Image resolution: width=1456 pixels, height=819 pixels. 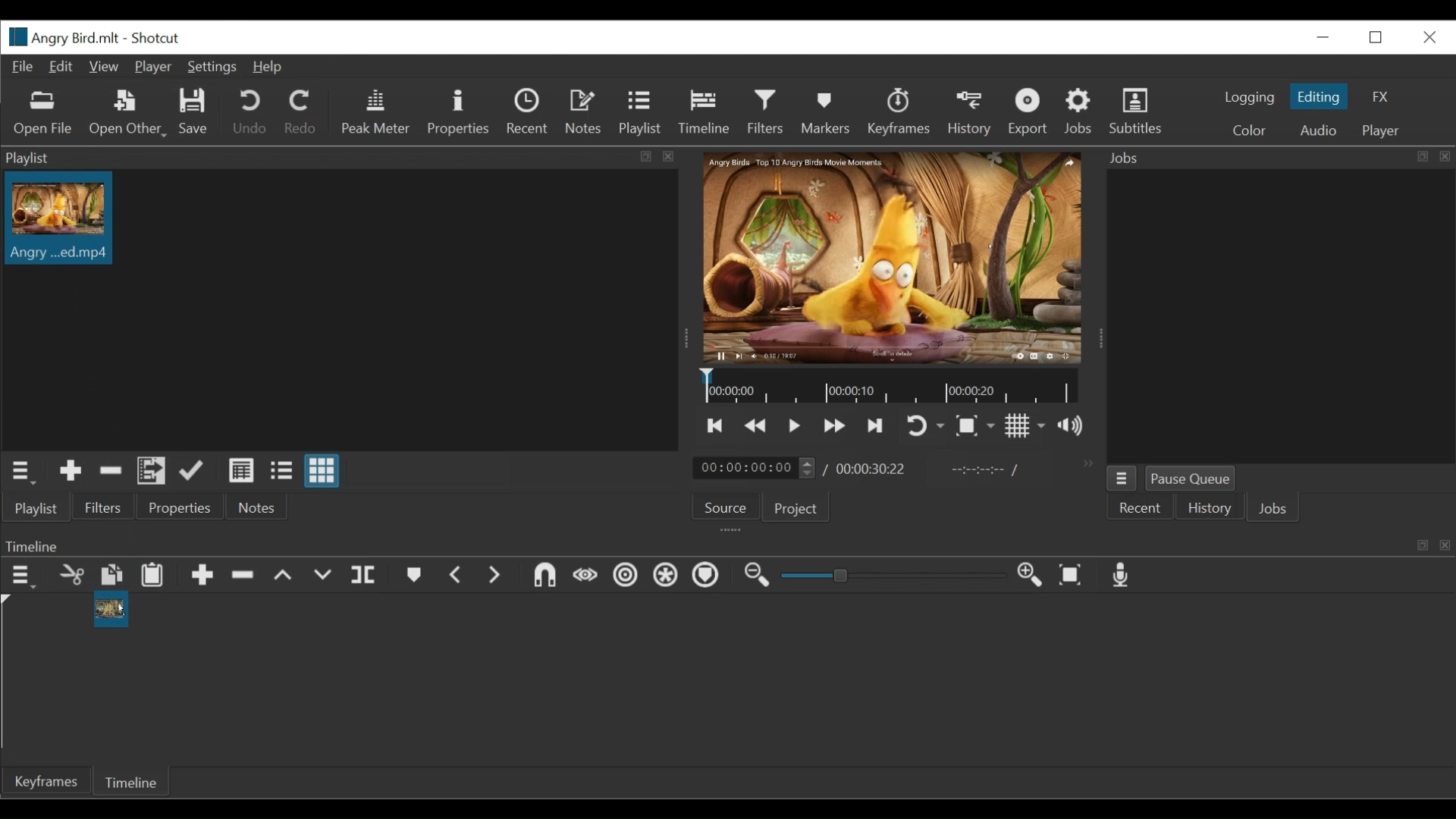 What do you see at coordinates (1194, 478) in the screenshot?
I see `Pause Queue` at bounding box center [1194, 478].